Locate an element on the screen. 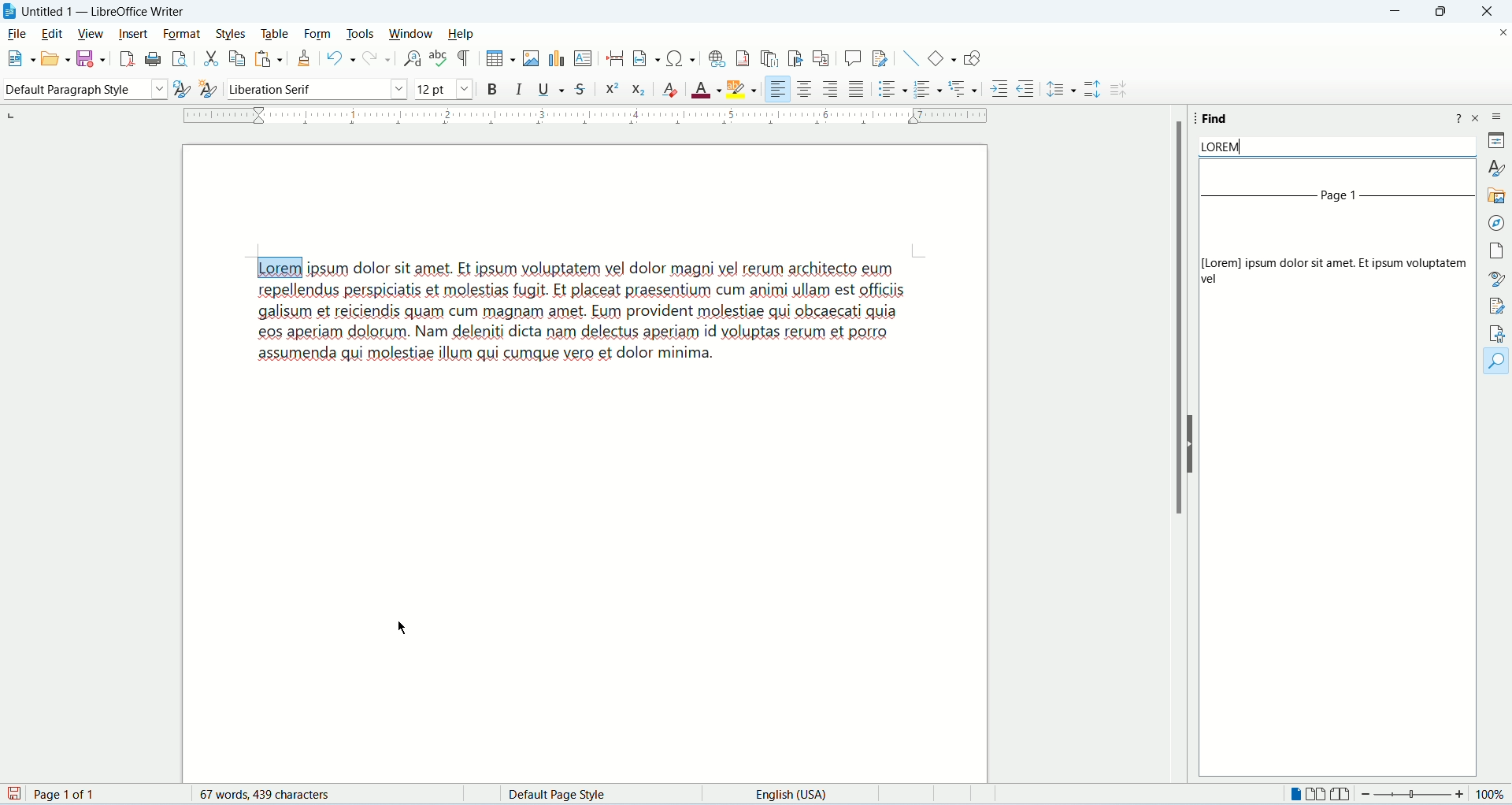  export as PDF is located at coordinates (128, 59).